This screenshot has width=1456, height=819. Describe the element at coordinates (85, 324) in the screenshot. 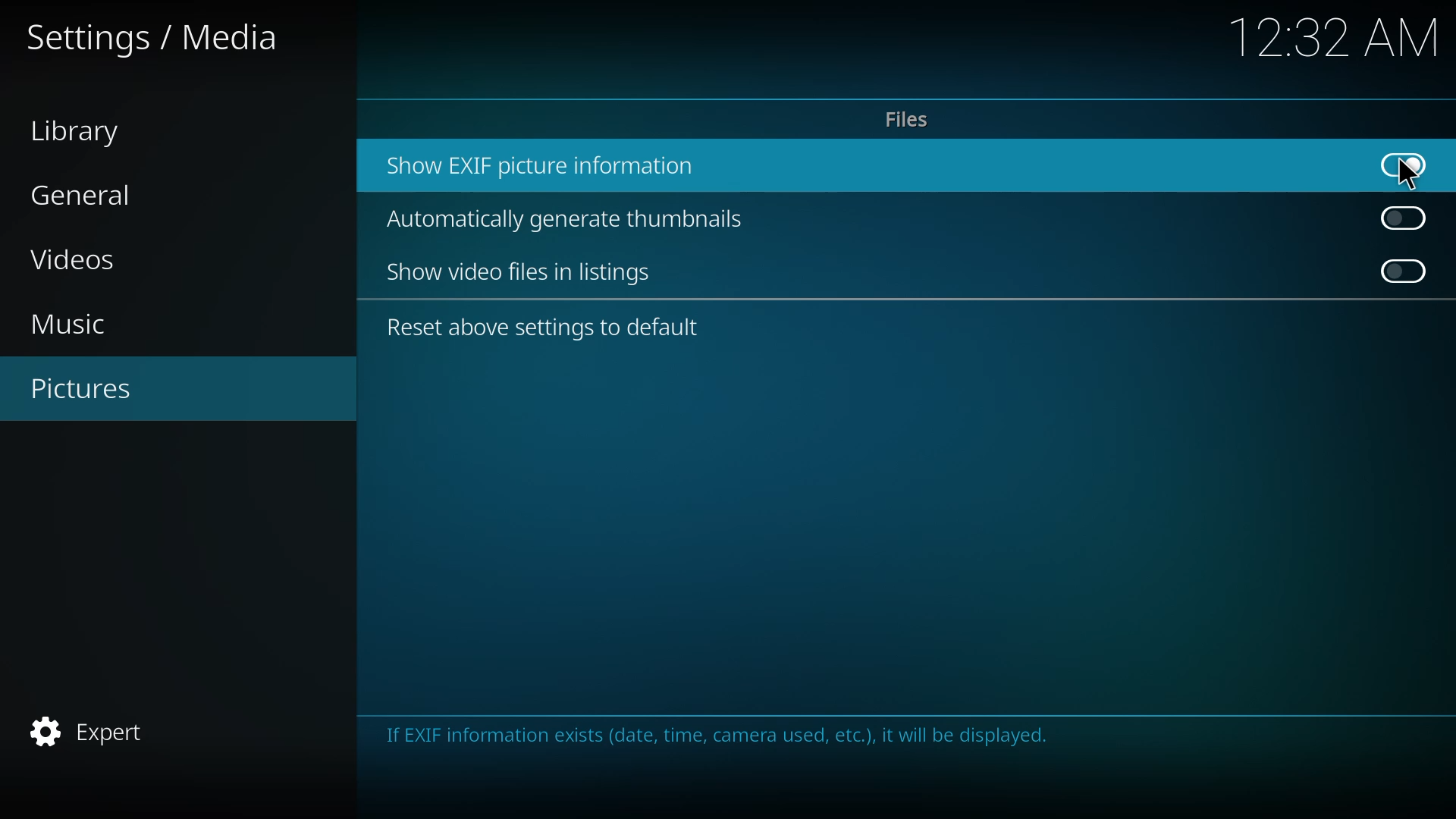

I see `music` at that location.